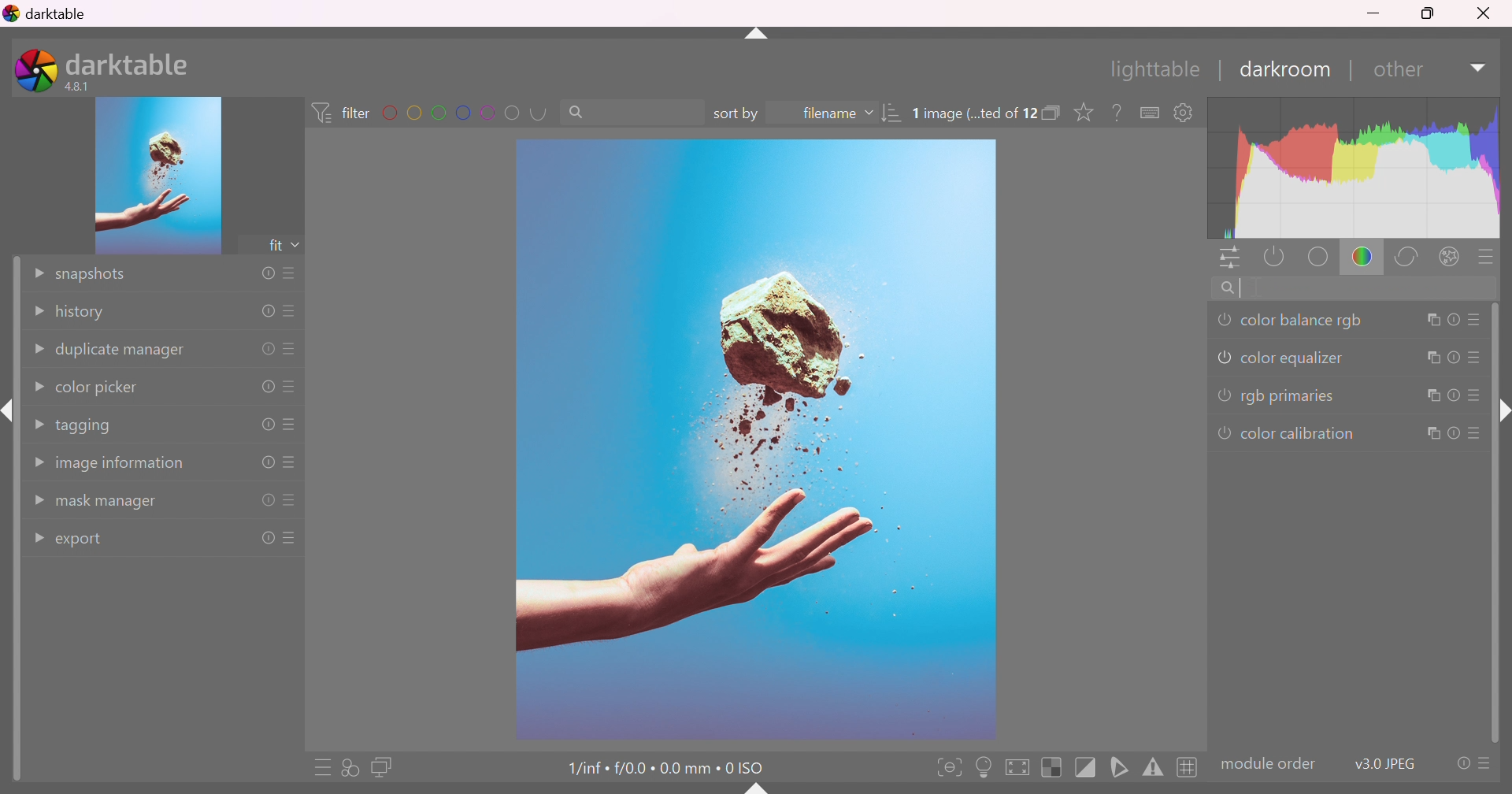 The image size is (1512, 794). I want to click on toggle softproofing, so click(1120, 767).